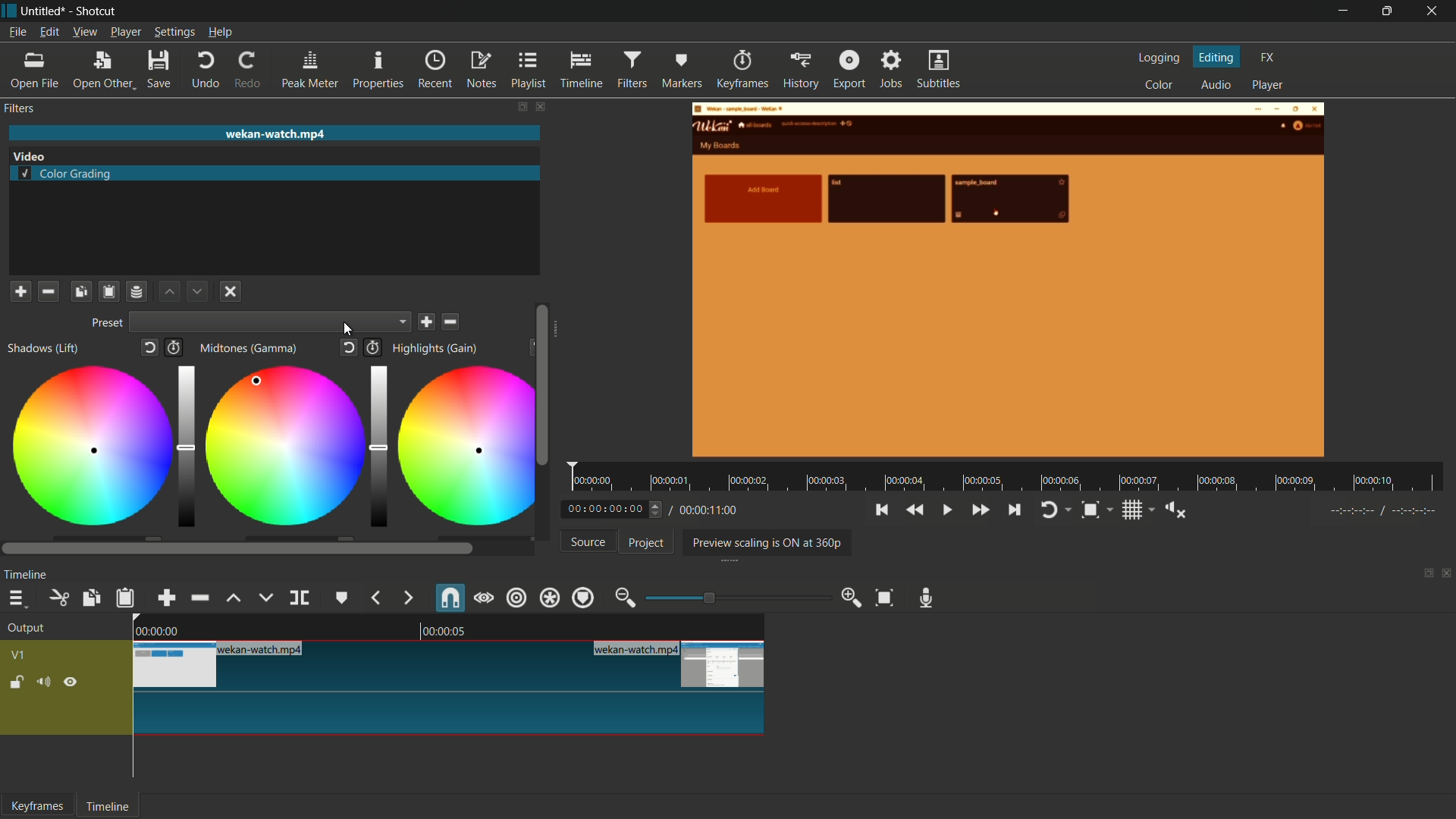 Image resolution: width=1456 pixels, height=819 pixels. I want to click on output, so click(27, 630).